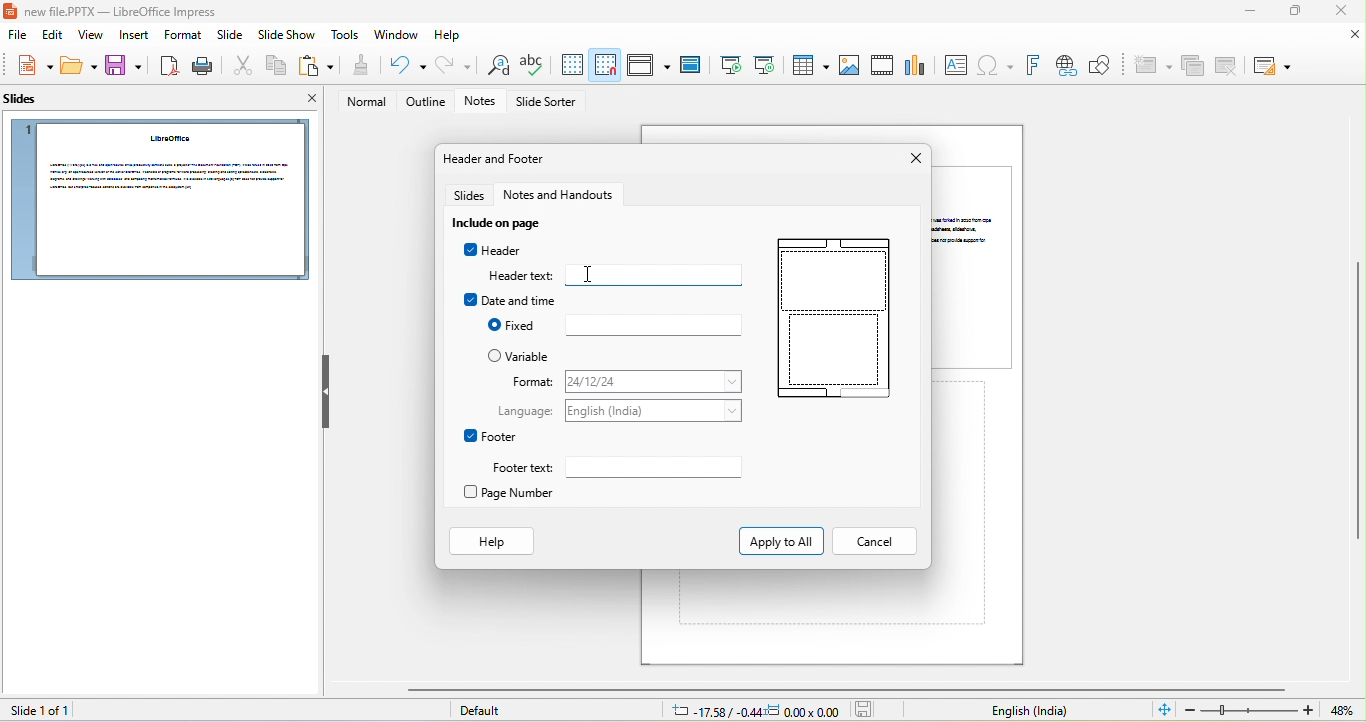  What do you see at coordinates (326, 391) in the screenshot?
I see `hide left sidebar` at bounding box center [326, 391].